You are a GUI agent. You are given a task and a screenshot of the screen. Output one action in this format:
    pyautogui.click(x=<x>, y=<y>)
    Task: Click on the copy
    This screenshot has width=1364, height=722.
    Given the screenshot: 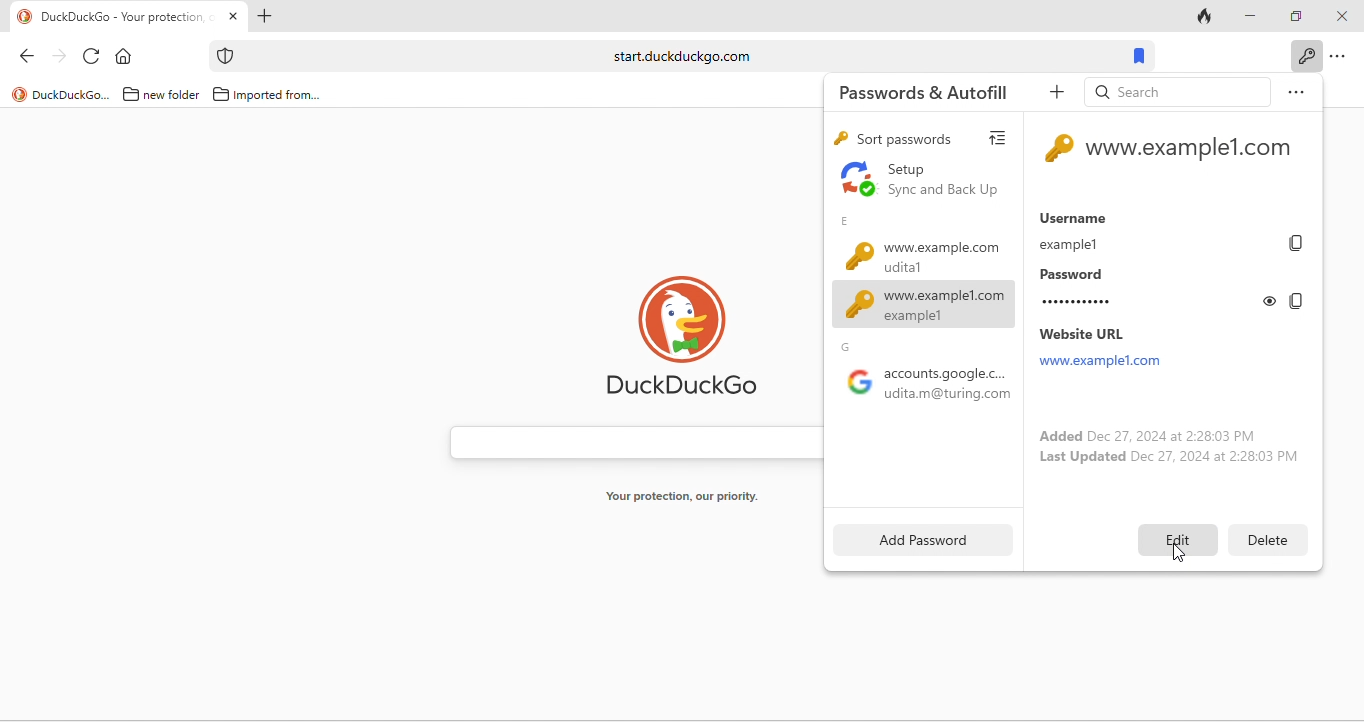 What is the action you would take?
    pyautogui.click(x=1297, y=301)
    